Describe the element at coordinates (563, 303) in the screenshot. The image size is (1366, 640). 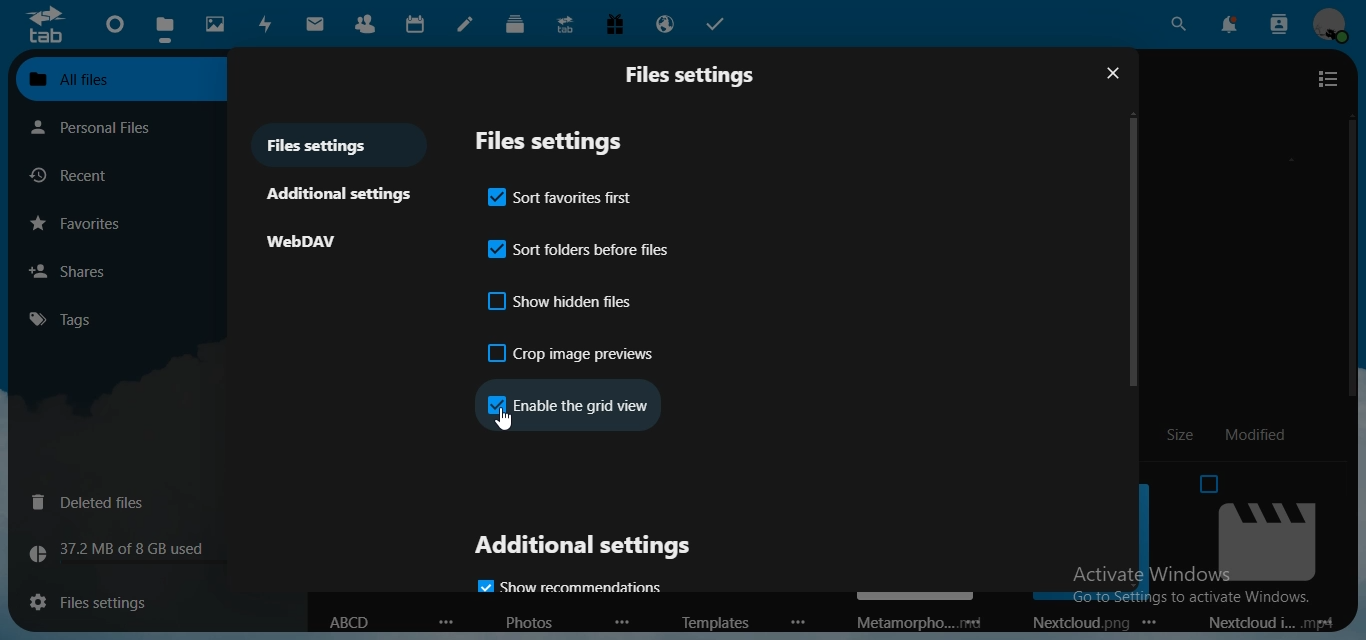
I see `show hidden files` at that location.